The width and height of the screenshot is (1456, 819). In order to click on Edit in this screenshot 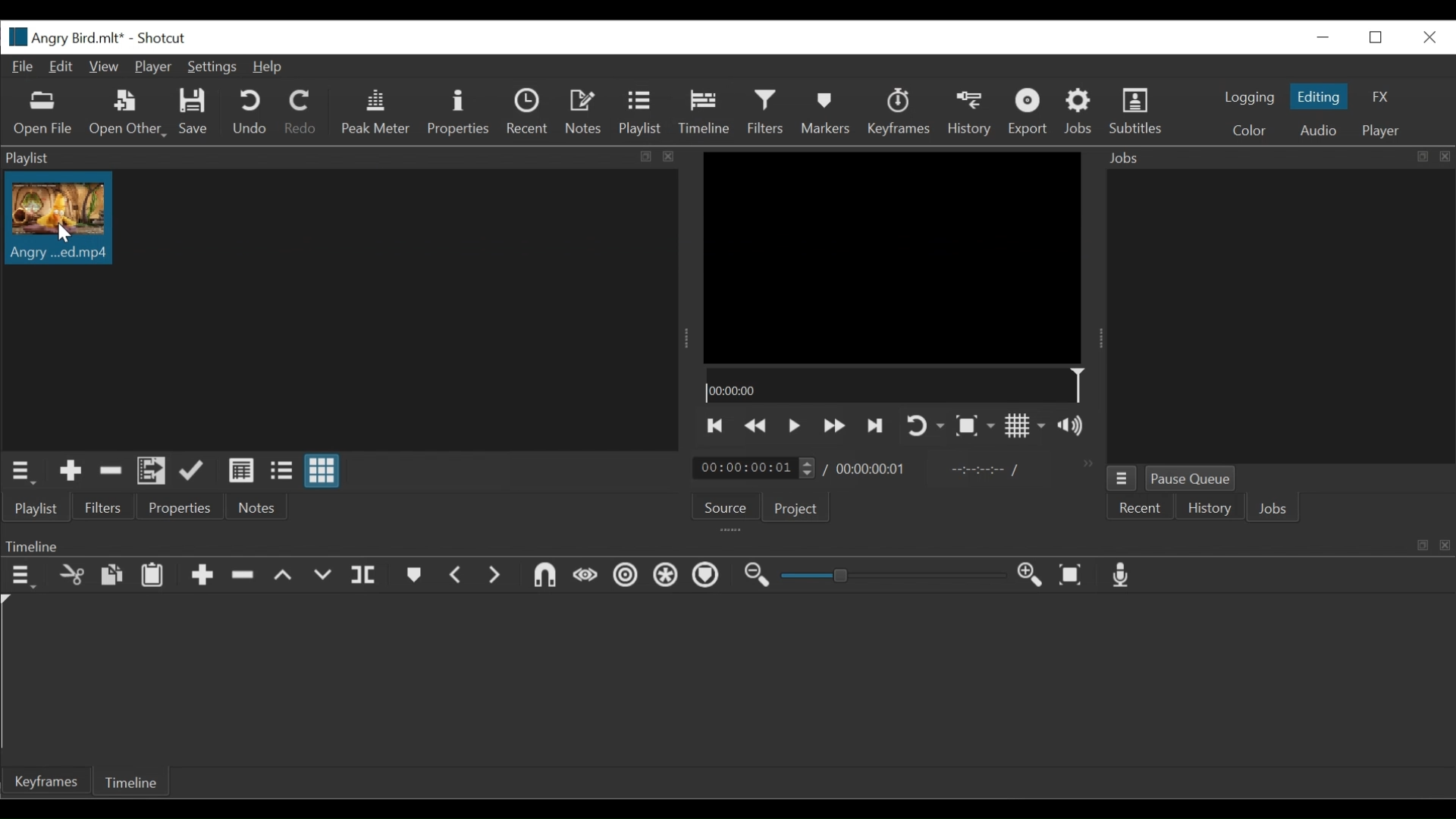, I will do `click(63, 67)`.